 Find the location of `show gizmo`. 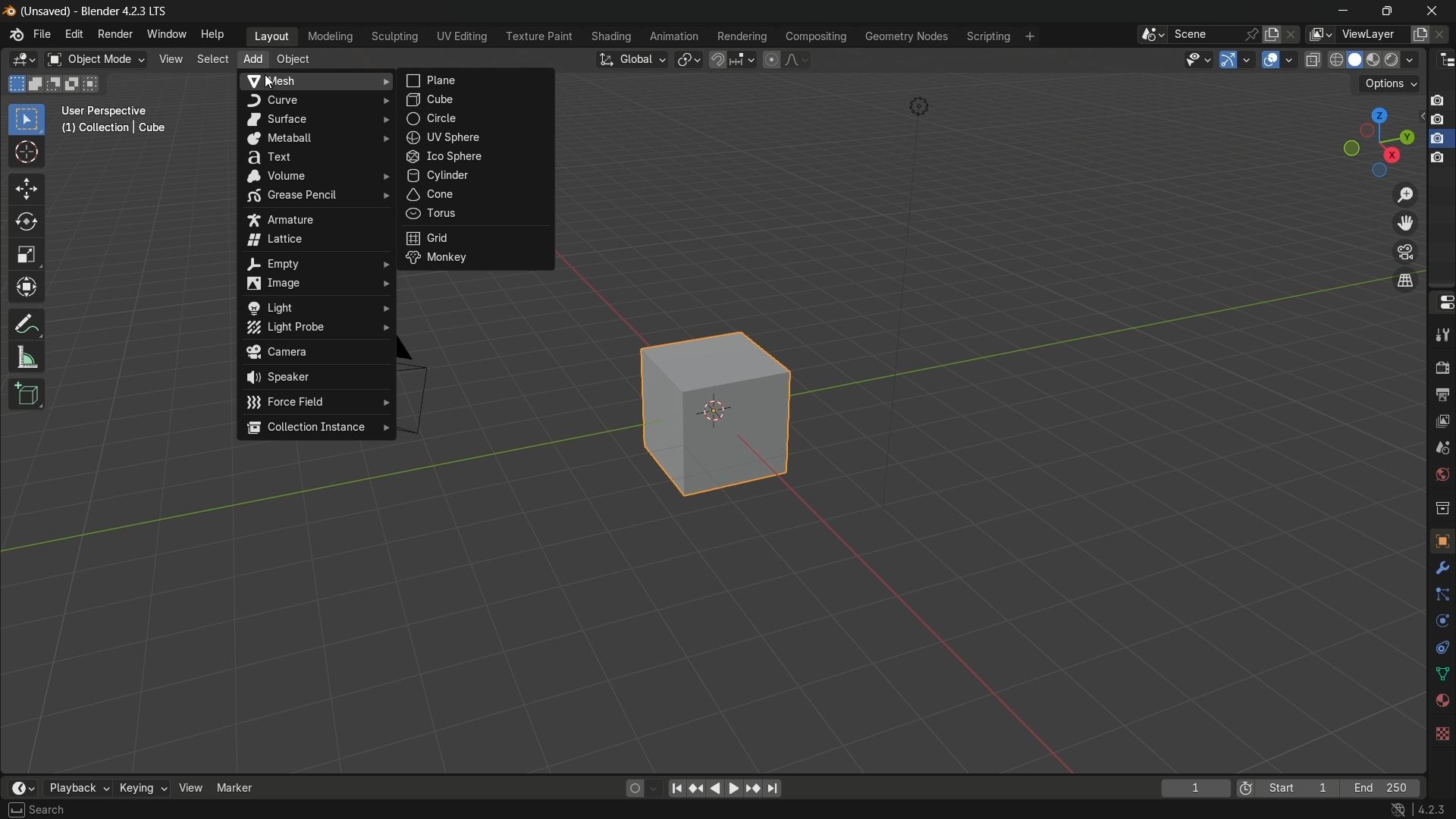

show gizmo is located at coordinates (1228, 60).